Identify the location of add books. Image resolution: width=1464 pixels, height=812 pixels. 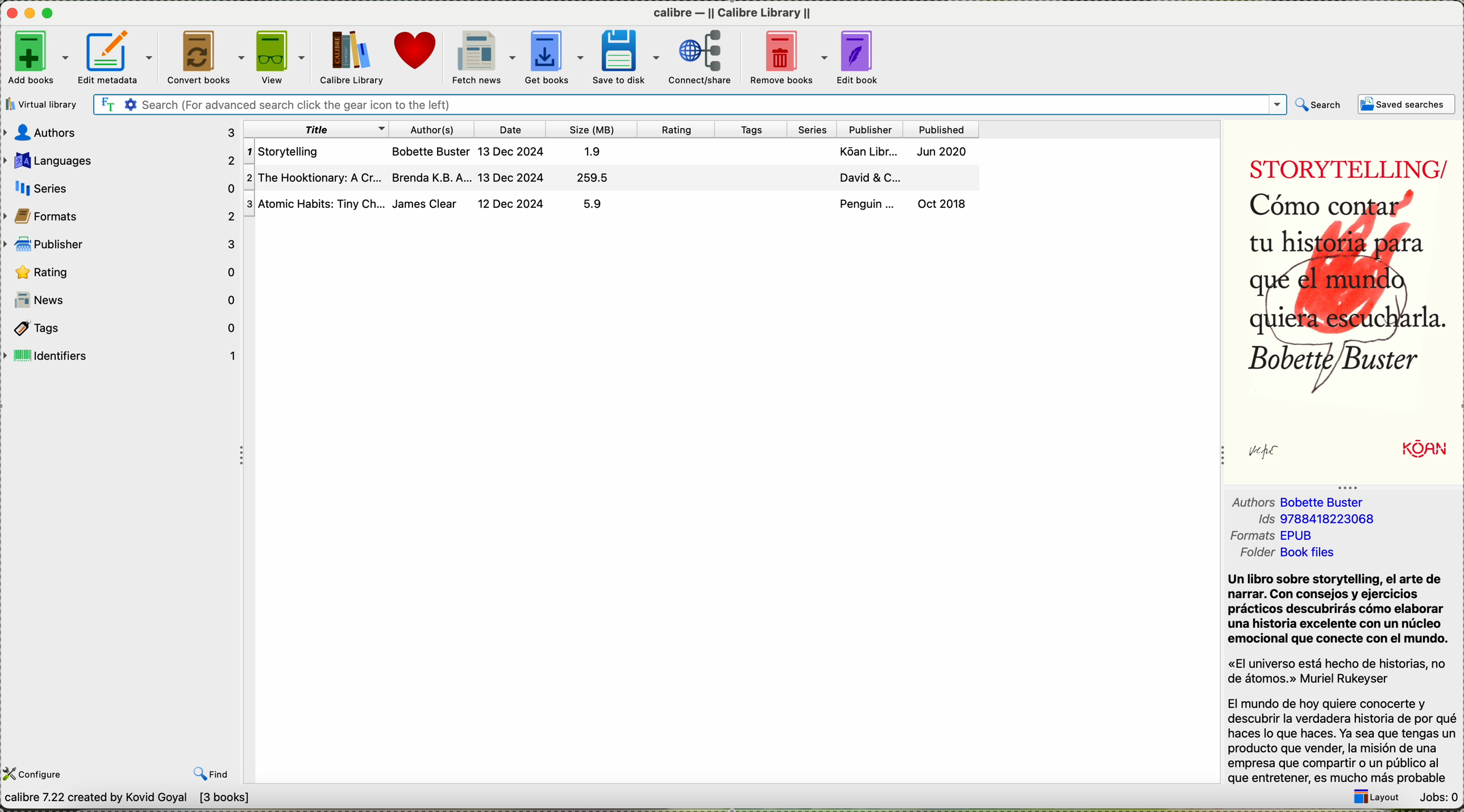
(38, 57).